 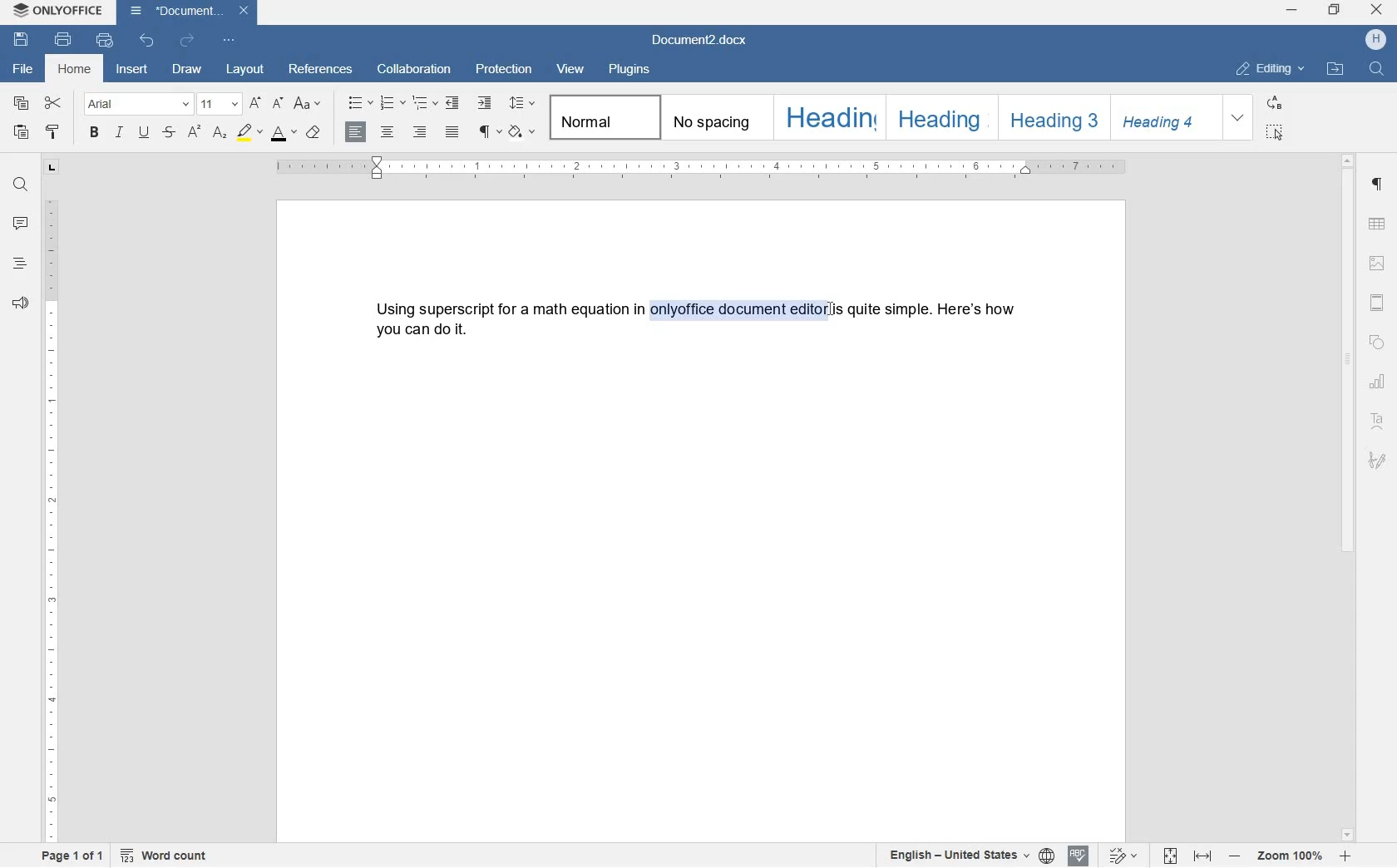 What do you see at coordinates (147, 40) in the screenshot?
I see `undo` at bounding box center [147, 40].